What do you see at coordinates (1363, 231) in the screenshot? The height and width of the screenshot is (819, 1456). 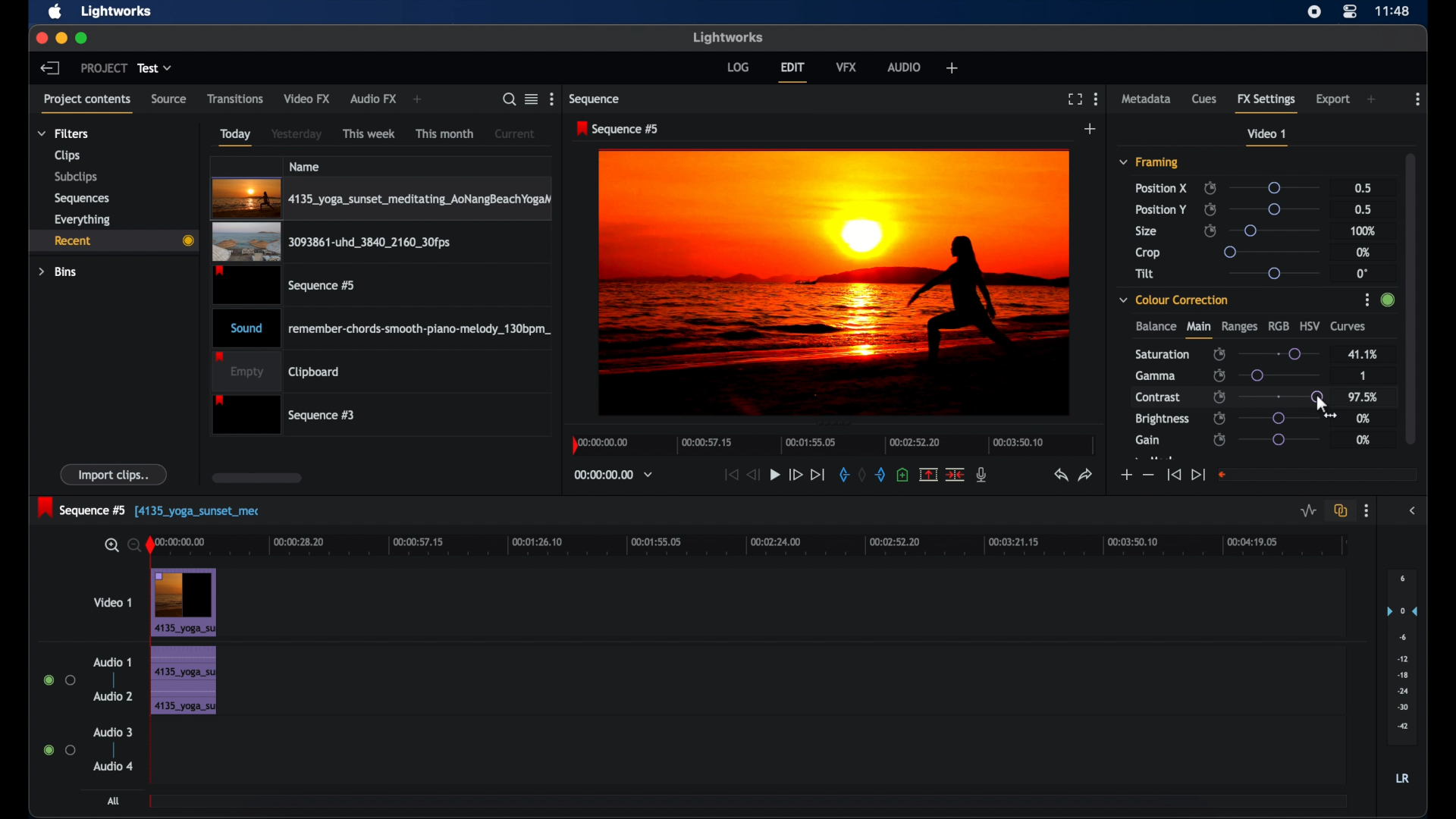 I see `100%` at bounding box center [1363, 231].